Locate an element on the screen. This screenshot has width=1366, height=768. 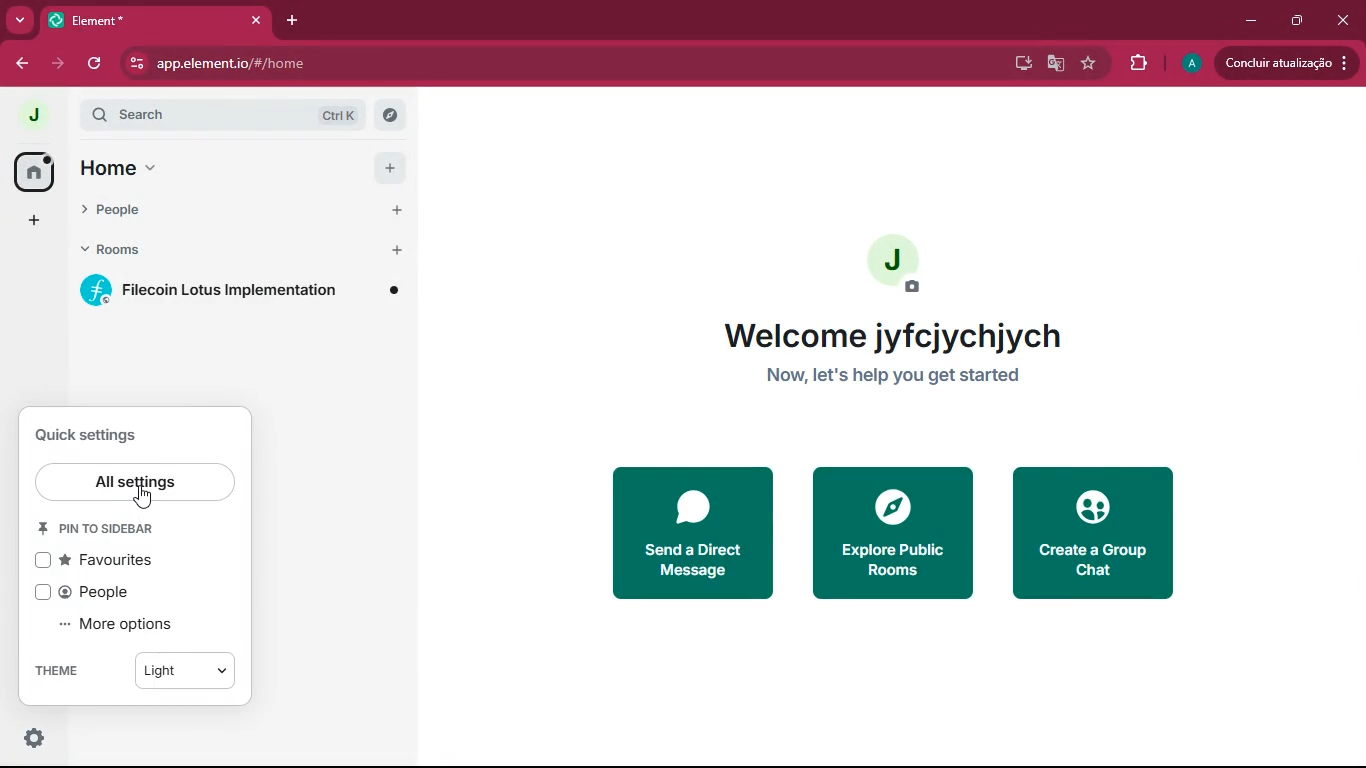
favourite is located at coordinates (1091, 63).